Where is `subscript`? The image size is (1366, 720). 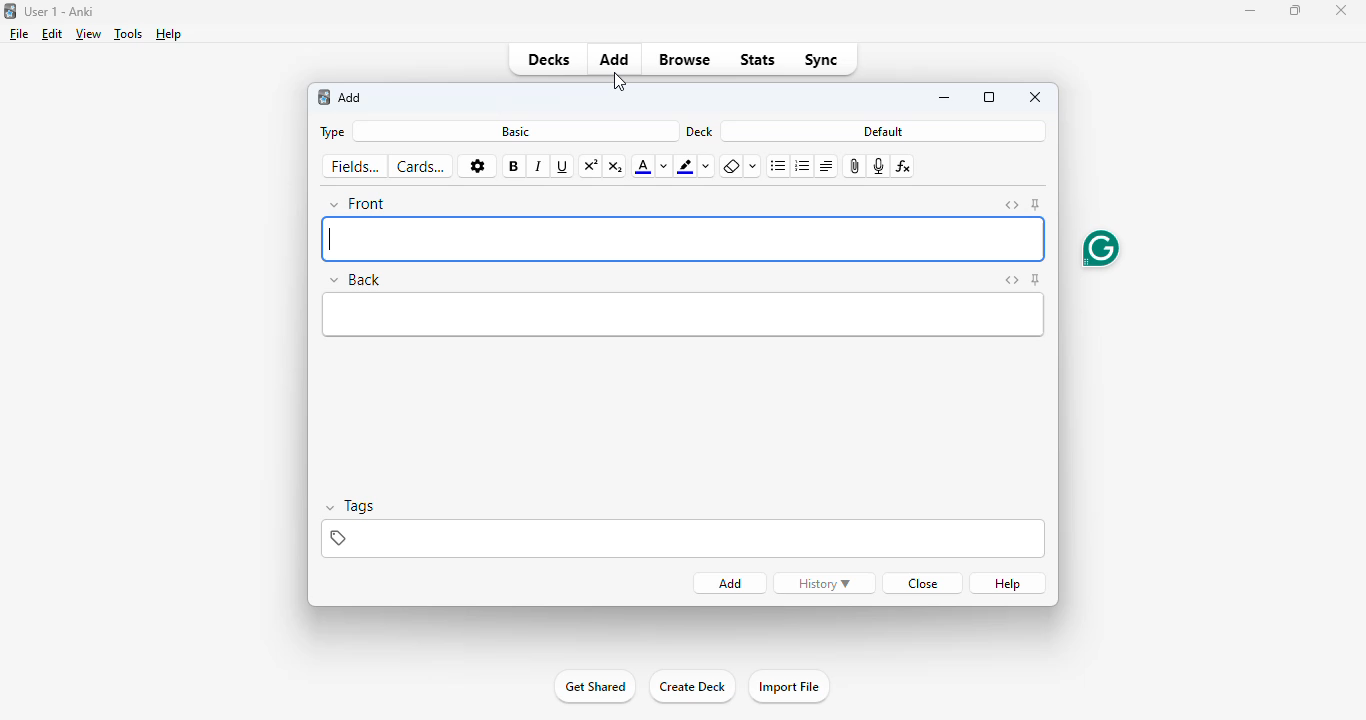
subscript is located at coordinates (616, 166).